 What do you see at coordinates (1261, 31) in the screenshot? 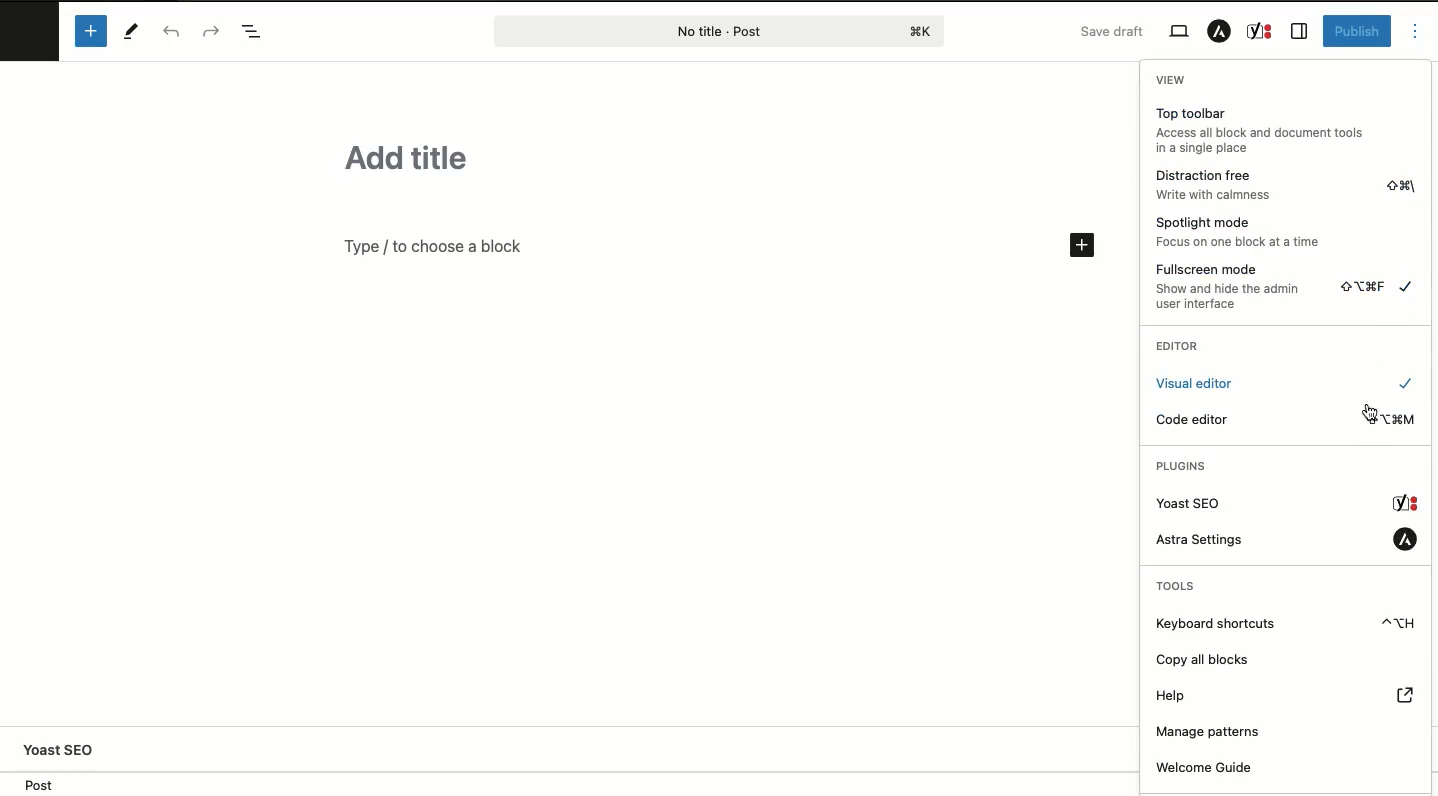
I see `Yoast` at bounding box center [1261, 31].